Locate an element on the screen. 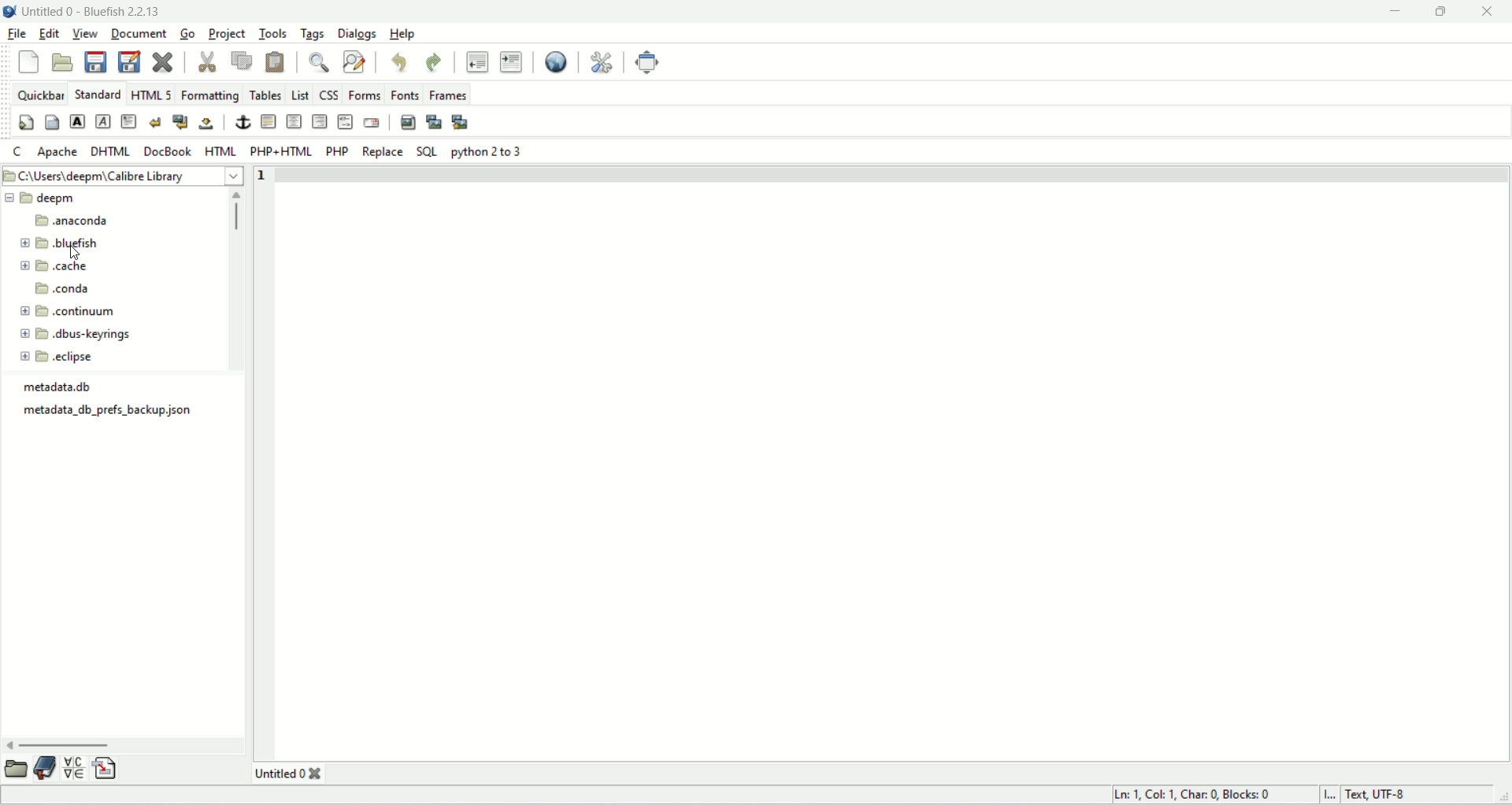  I is located at coordinates (1331, 796).